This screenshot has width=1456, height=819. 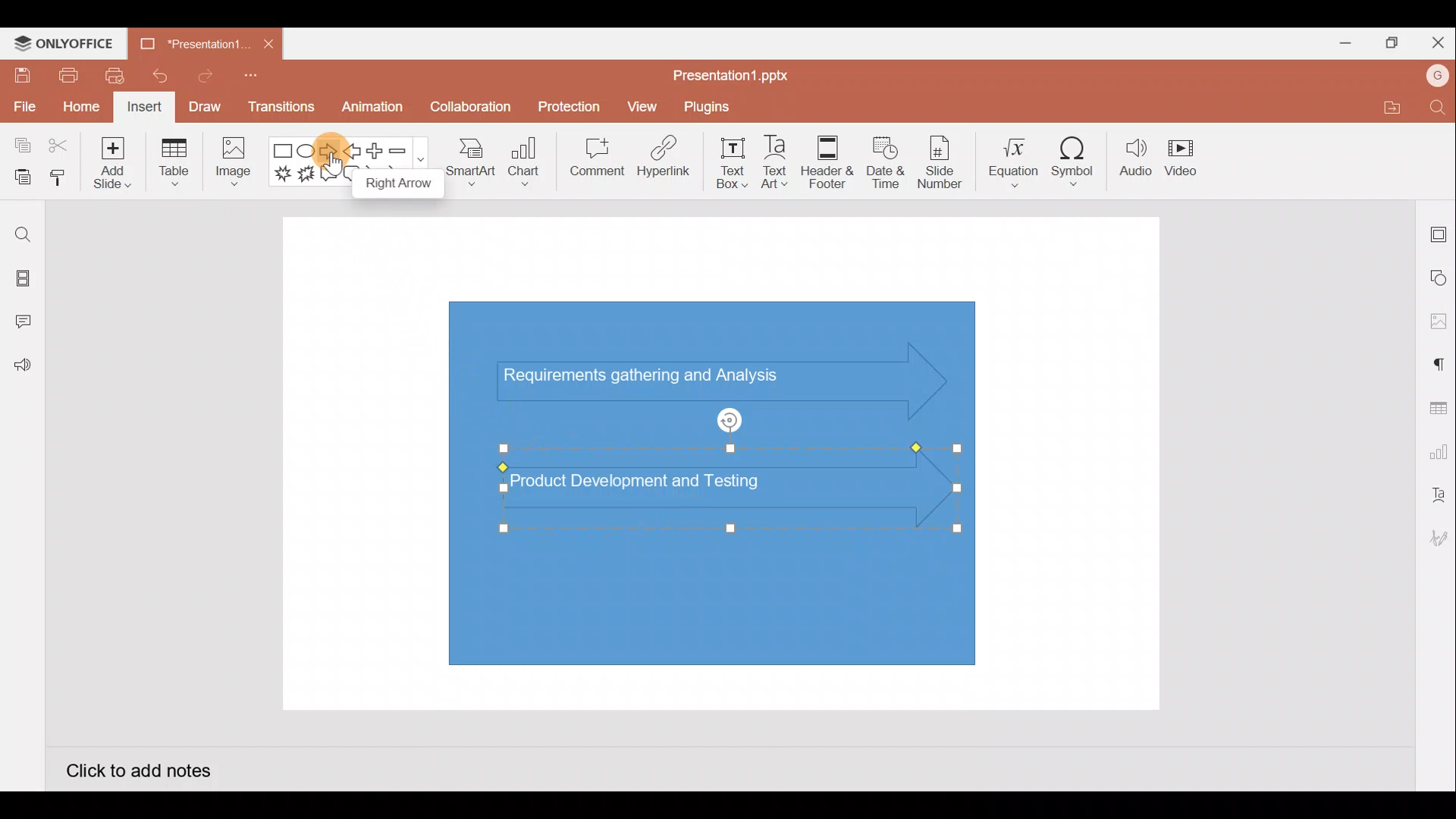 What do you see at coordinates (392, 180) in the screenshot?
I see `Right arrow` at bounding box center [392, 180].